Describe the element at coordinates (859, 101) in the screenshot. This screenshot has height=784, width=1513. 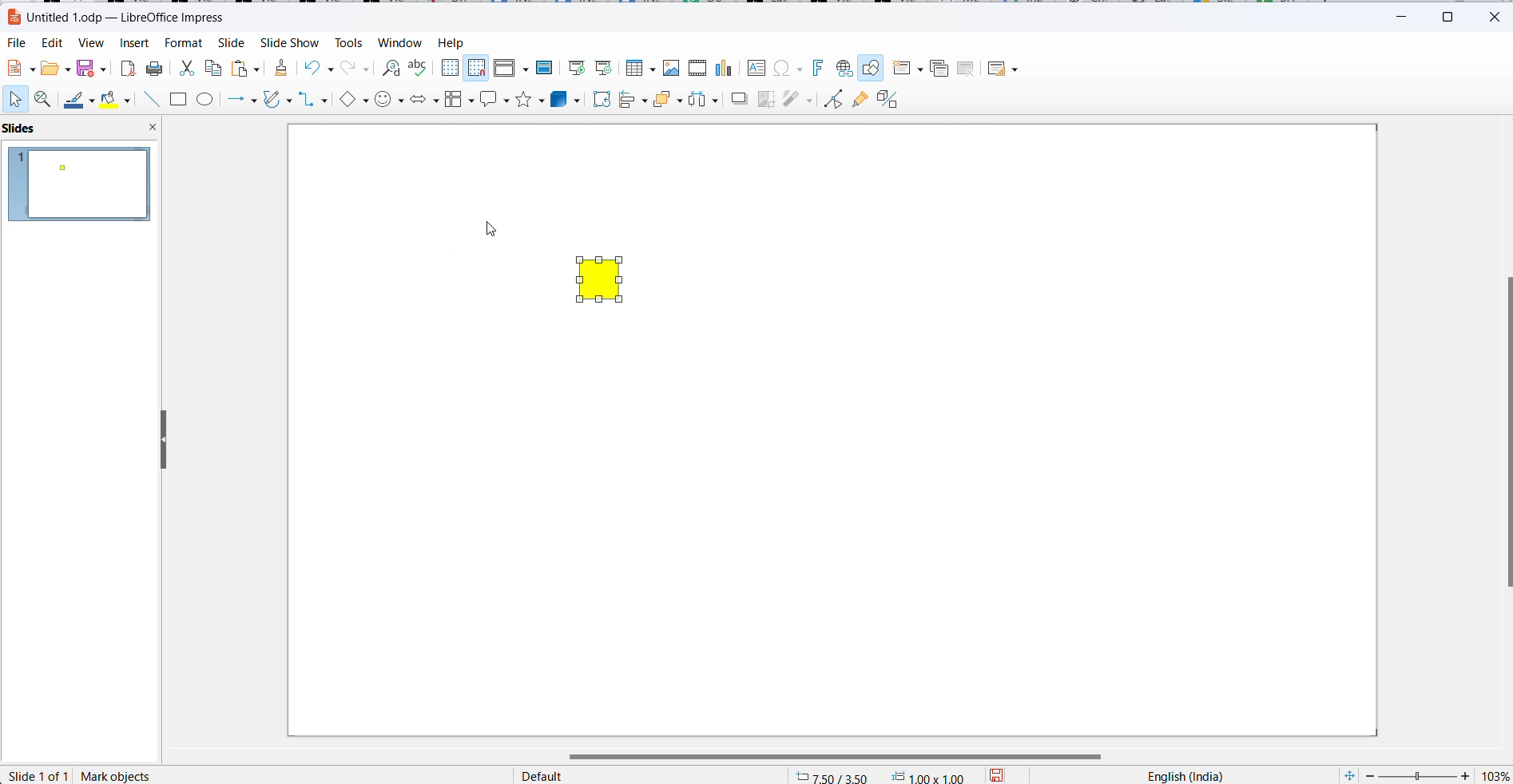
I see `show glue point function` at that location.